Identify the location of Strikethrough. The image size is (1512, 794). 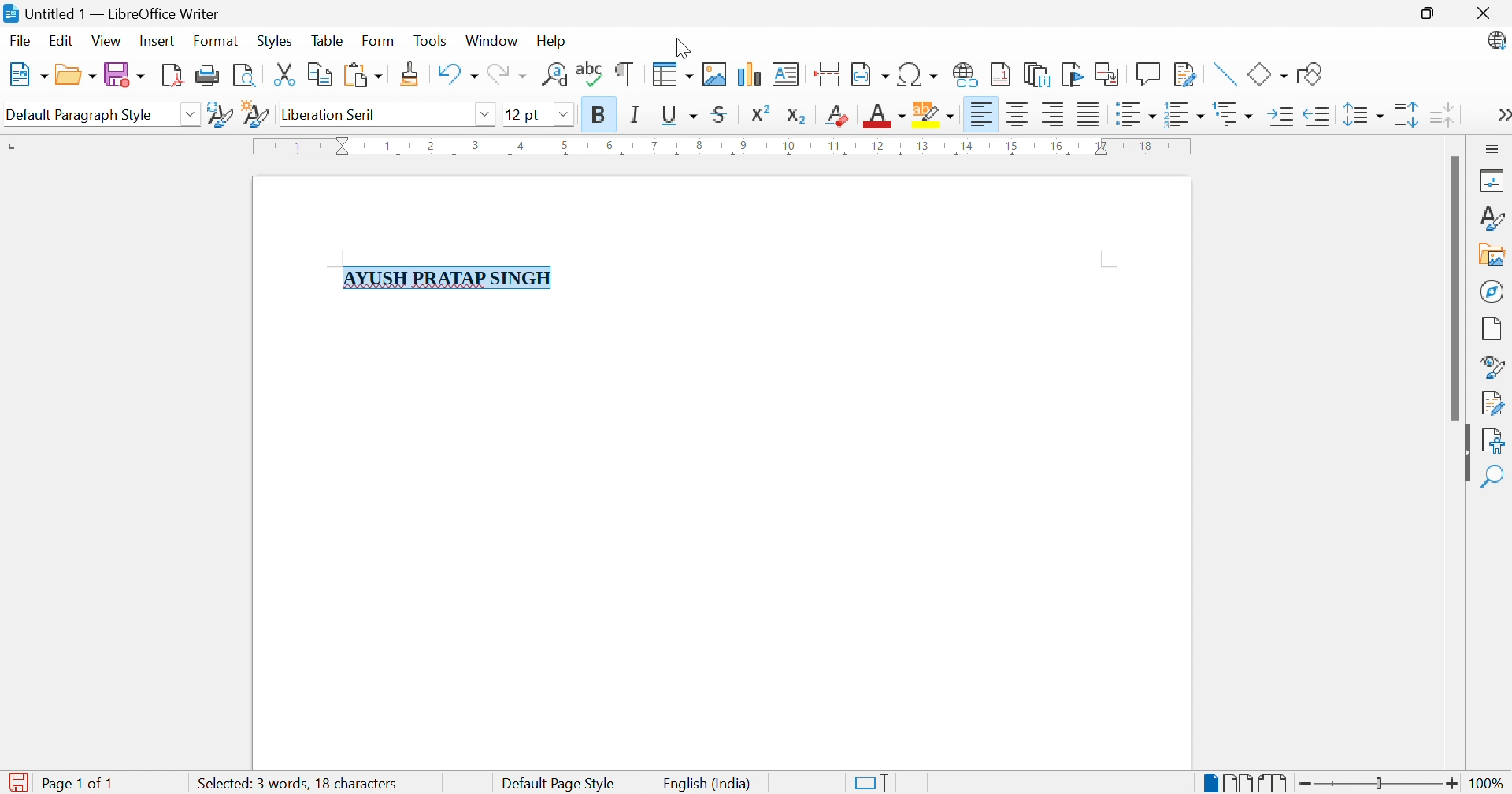
(720, 117).